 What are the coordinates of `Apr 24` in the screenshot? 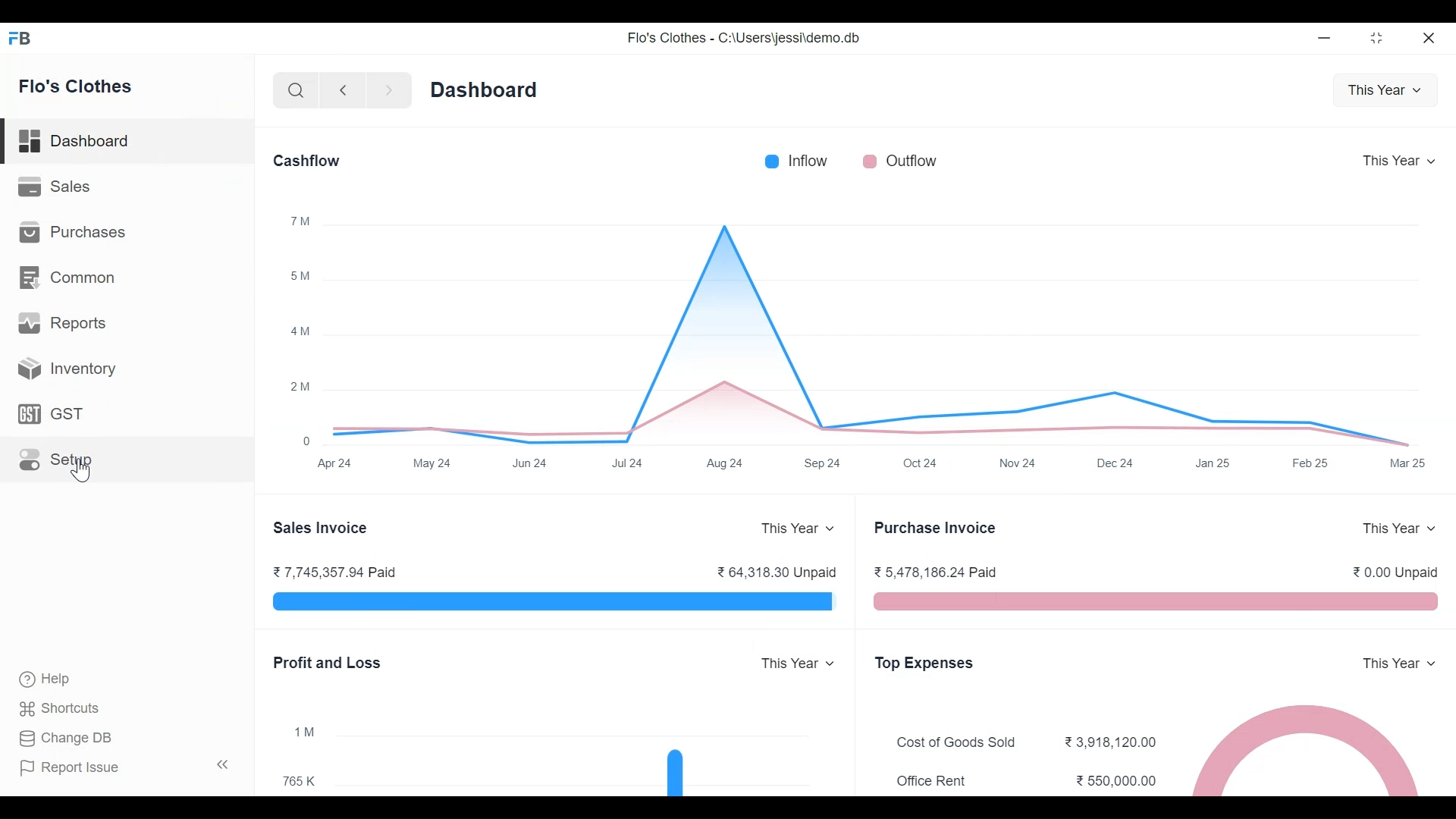 It's located at (331, 466).